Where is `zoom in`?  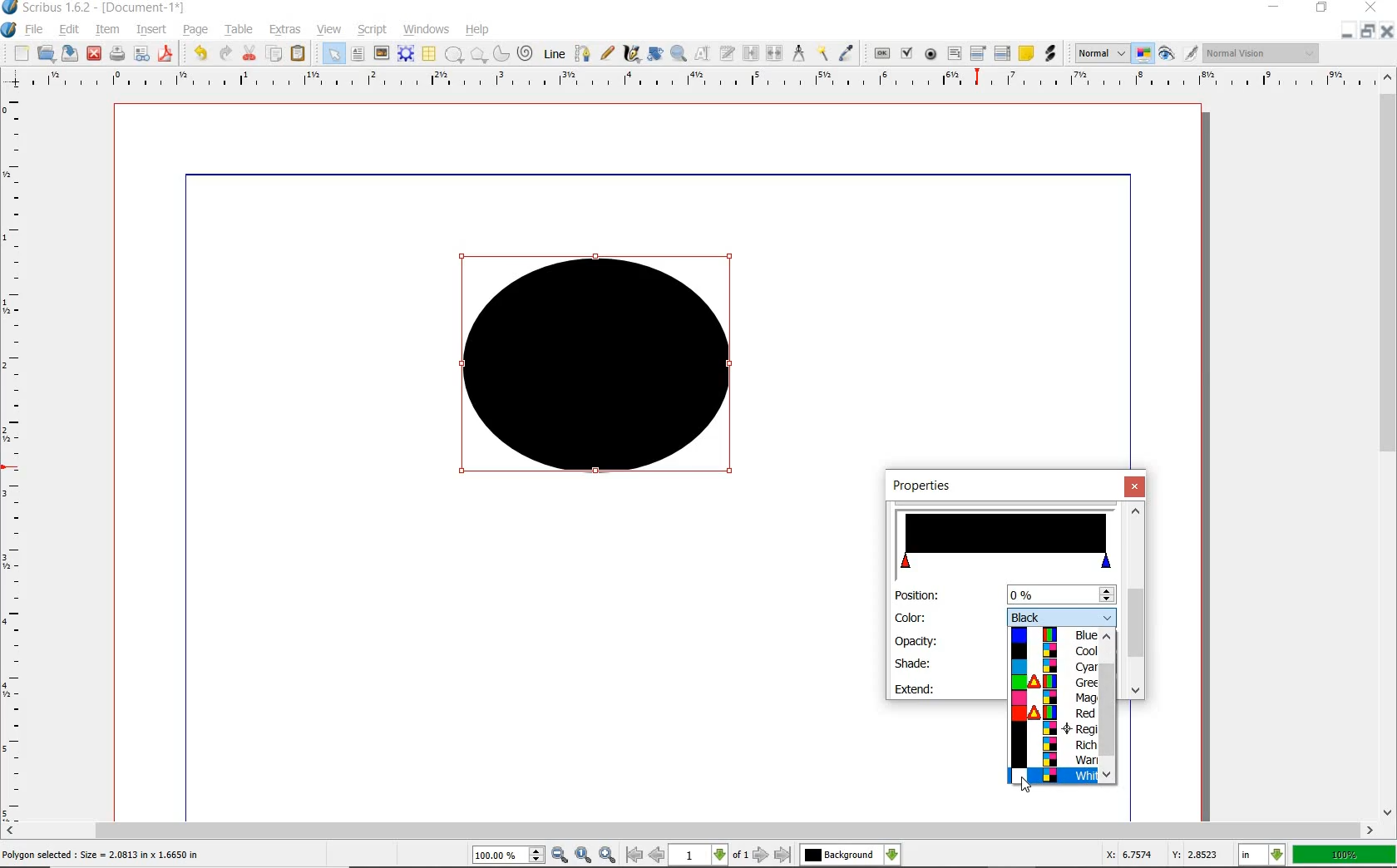 zoom in is located at coordinates (609, 854).